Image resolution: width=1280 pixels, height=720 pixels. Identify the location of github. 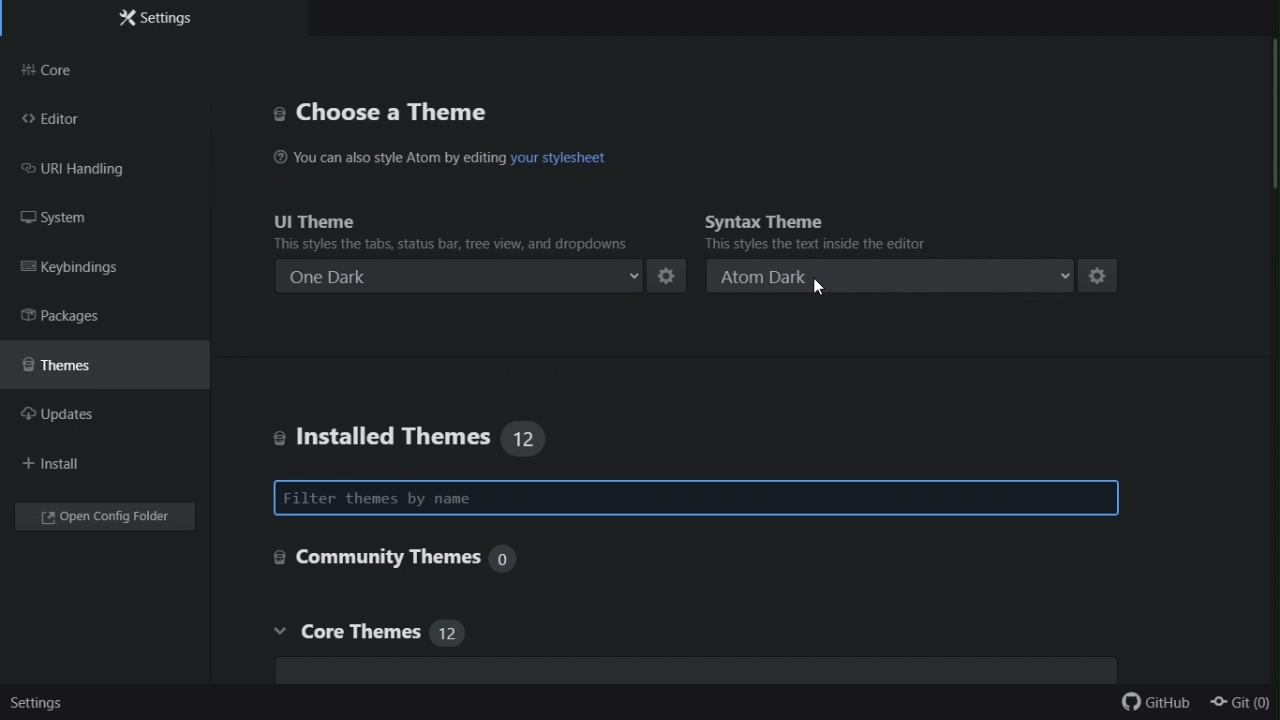
(1151, 701).